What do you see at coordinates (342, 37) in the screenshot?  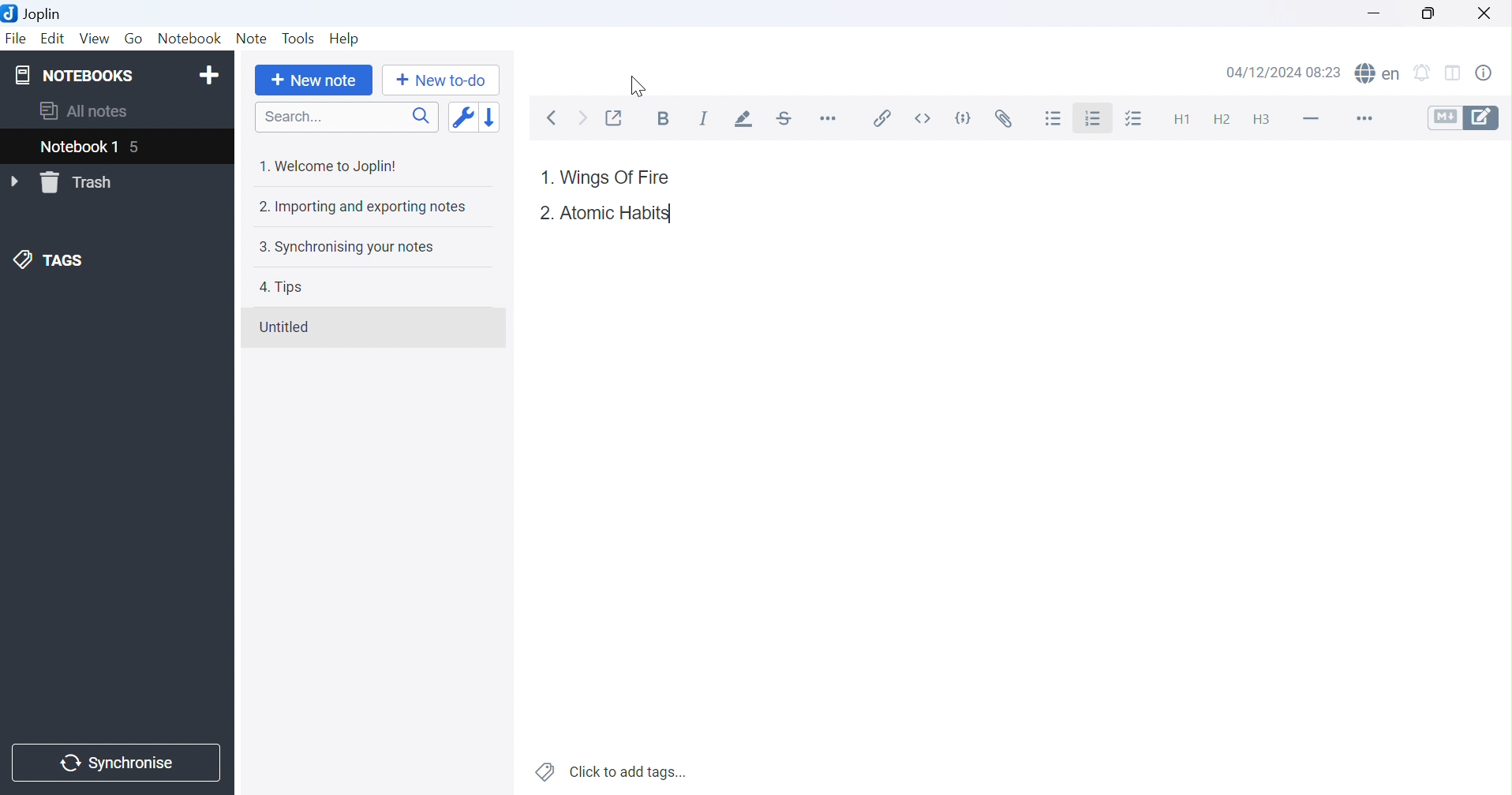 I see `Help` at bounding box center [342, 37].